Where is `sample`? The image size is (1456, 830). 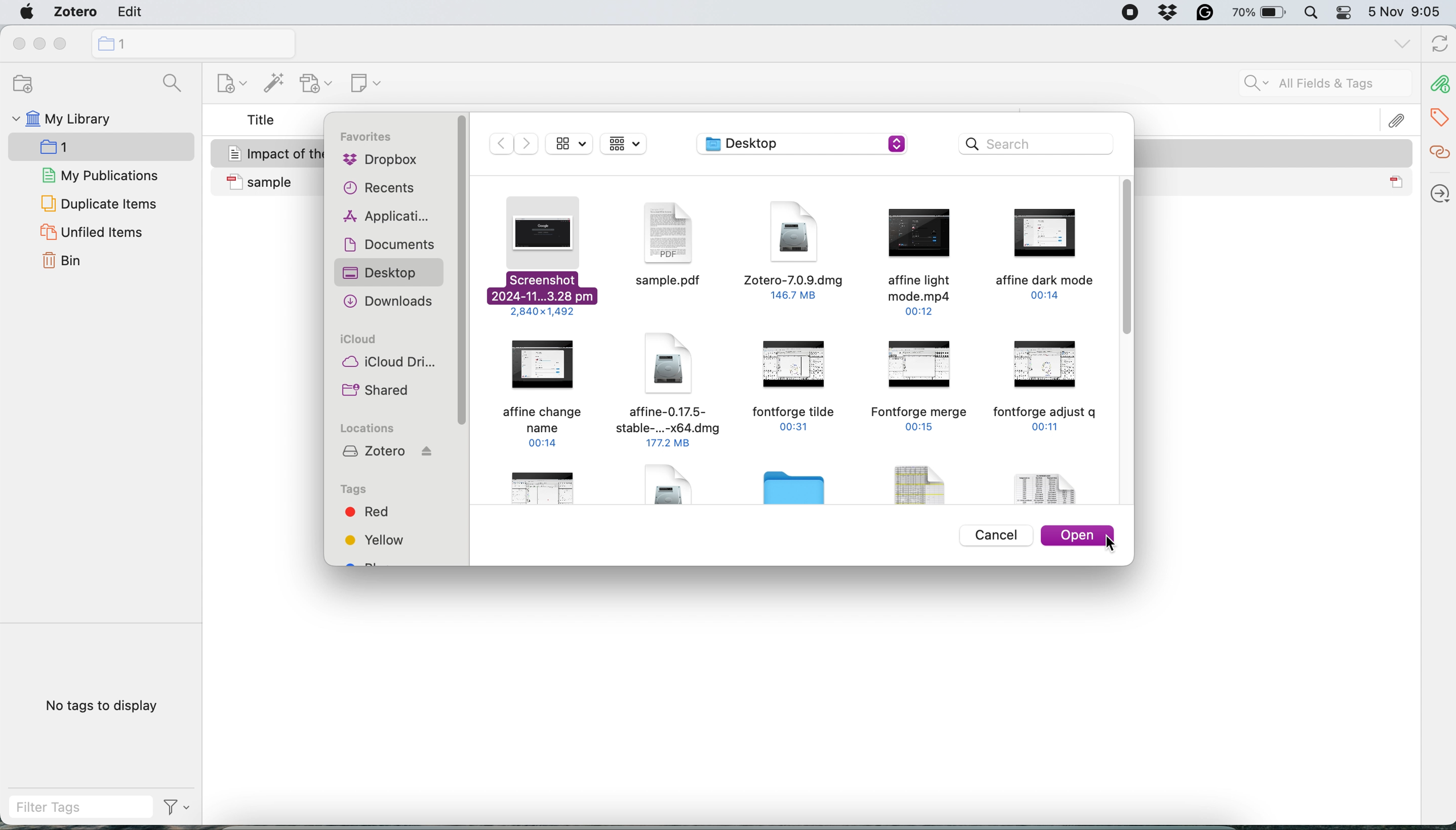 sample is located at coordinates (270, 182).